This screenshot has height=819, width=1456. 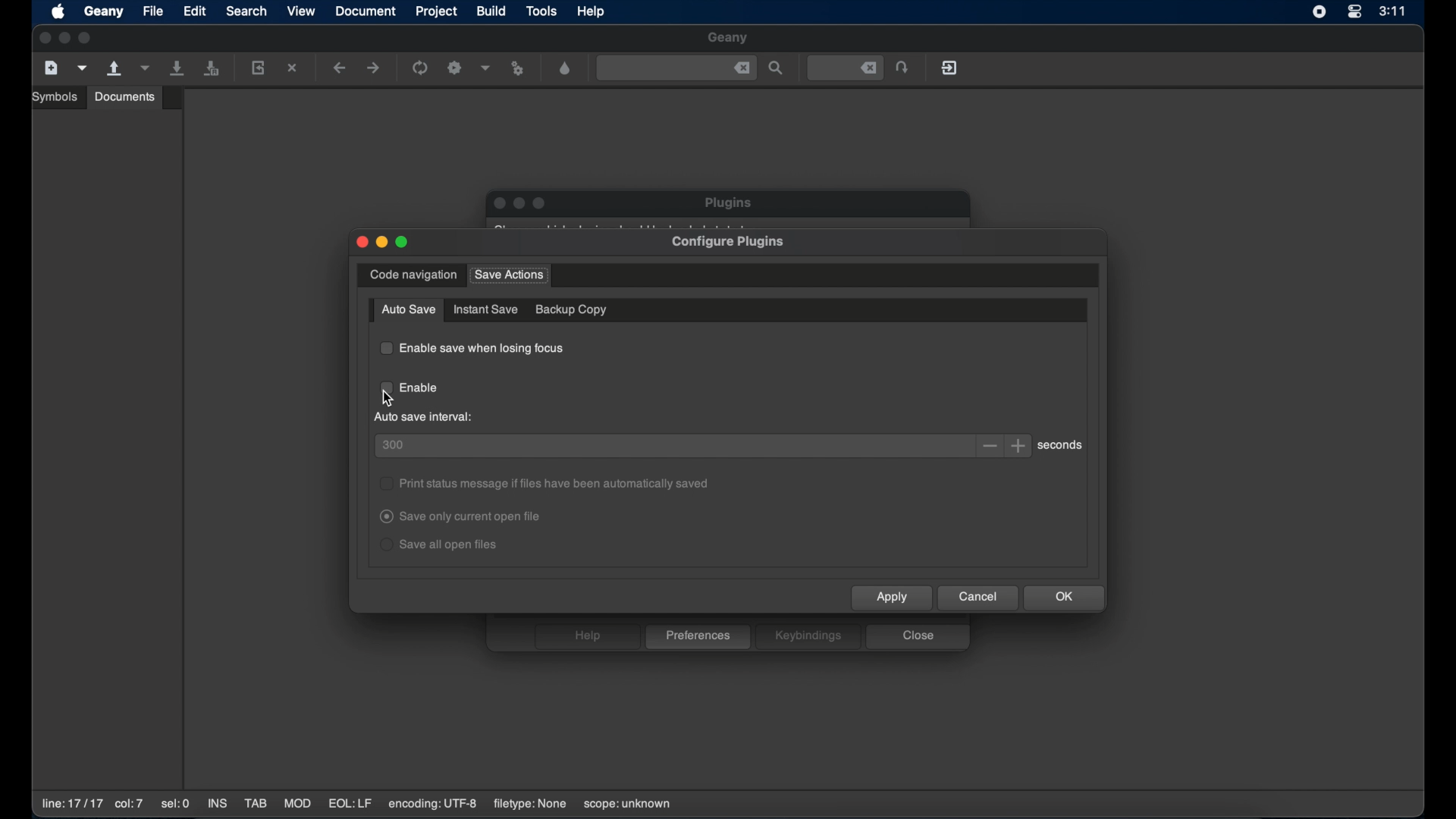 What do you see at coordinates (340, 69) in the screenshot?
I see `navigate backward a location` at bounding box center [340, 69].